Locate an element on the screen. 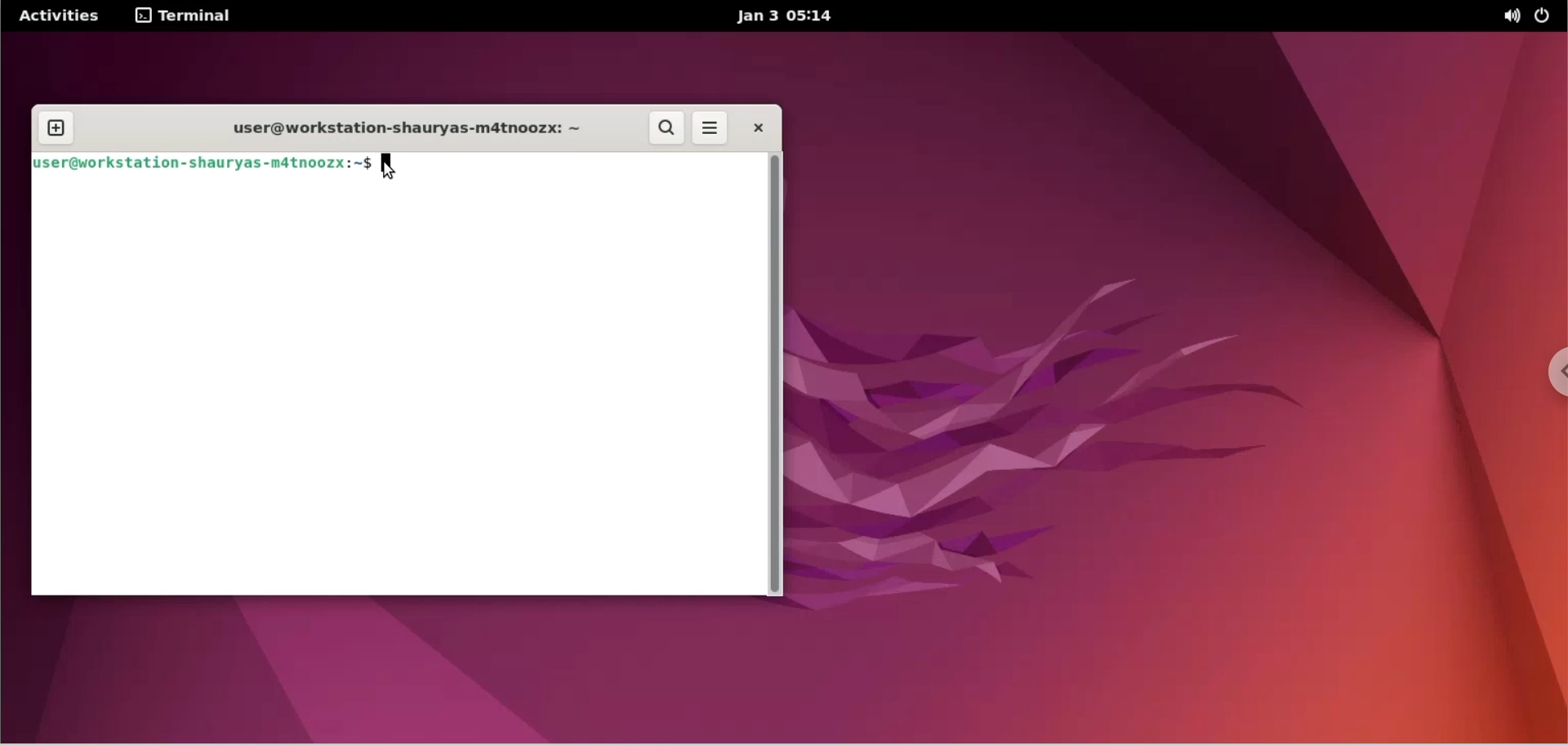 This screenshot has width=1568, height=745. Activities is located at coordinates (60, 15).